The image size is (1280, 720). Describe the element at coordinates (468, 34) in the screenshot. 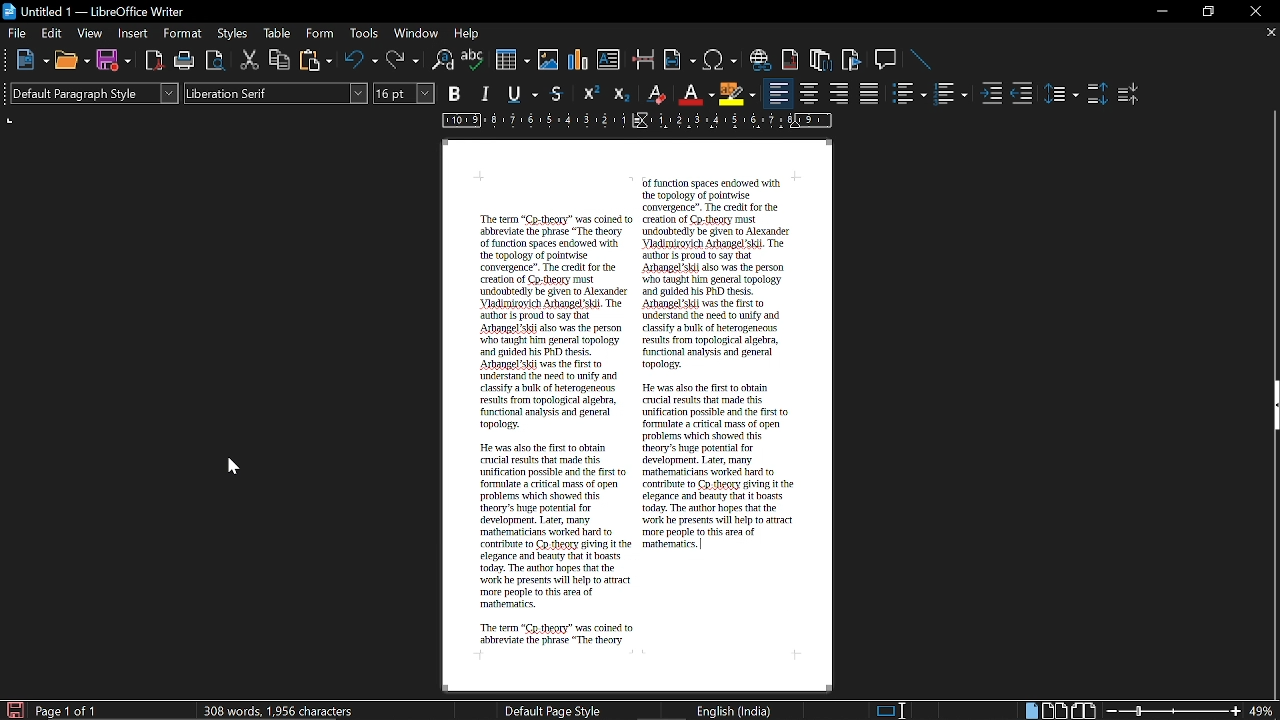

I see `Help` at that location.